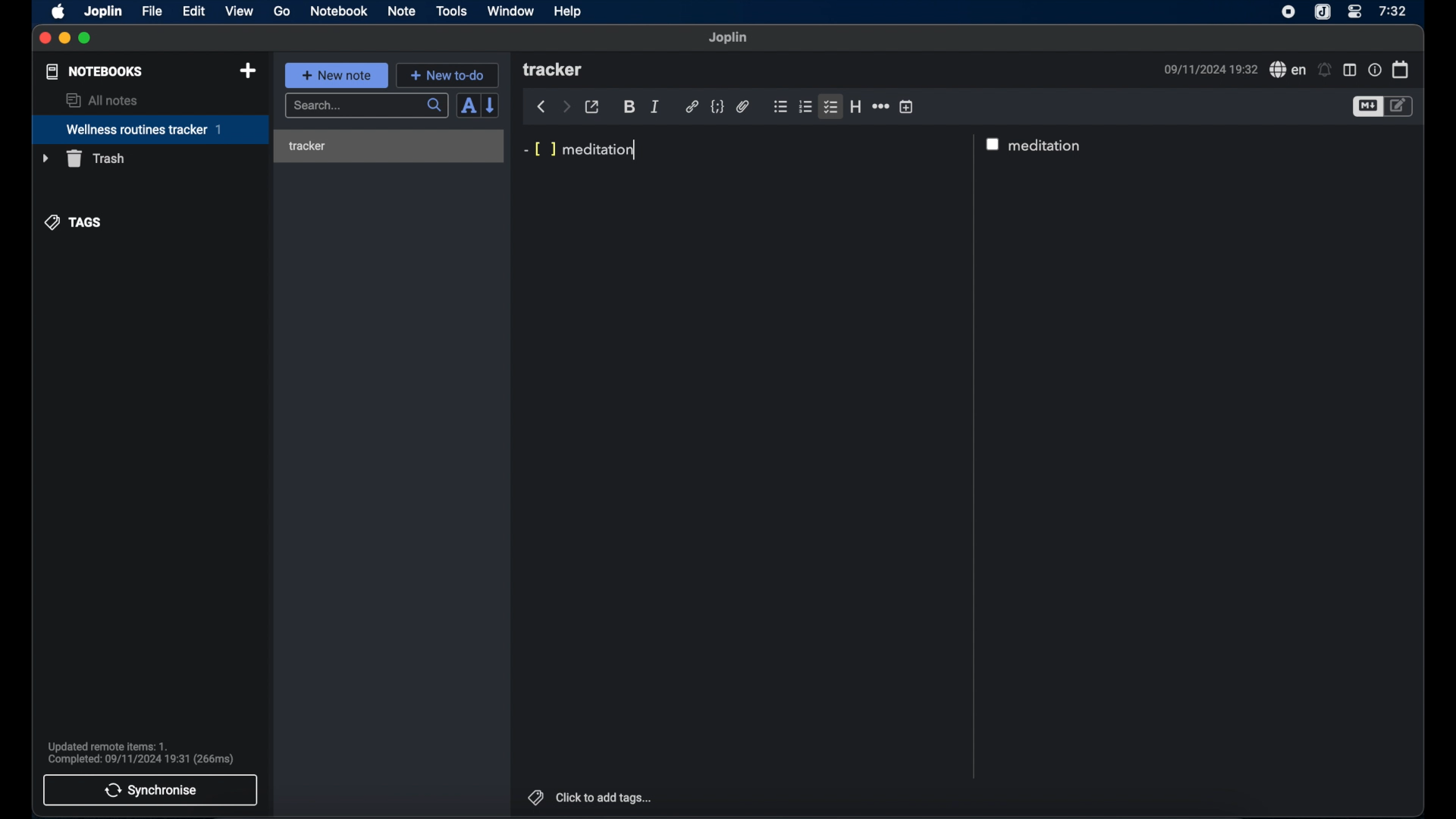 This screenshot has width=1456, height=819. I want to click on bulleted list, so click(780, 107).